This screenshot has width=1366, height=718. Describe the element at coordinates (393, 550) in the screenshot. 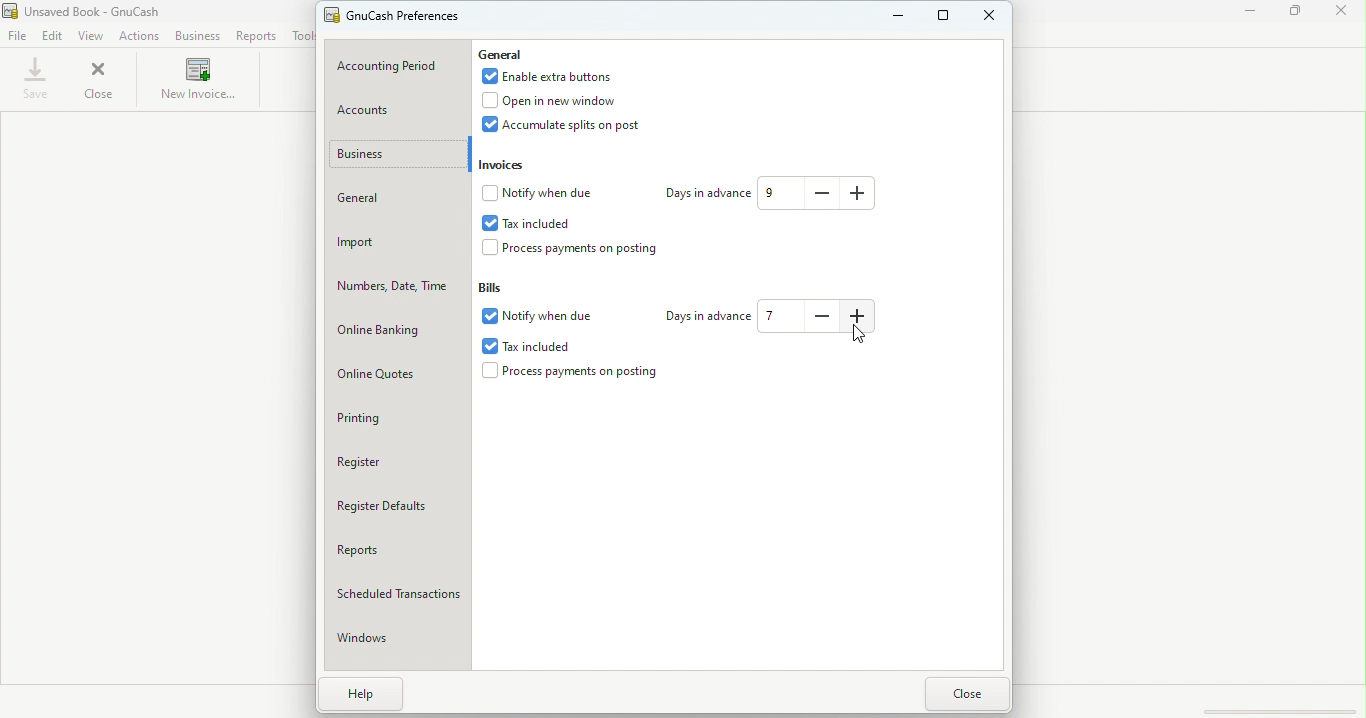

I see `Reports` at that location.